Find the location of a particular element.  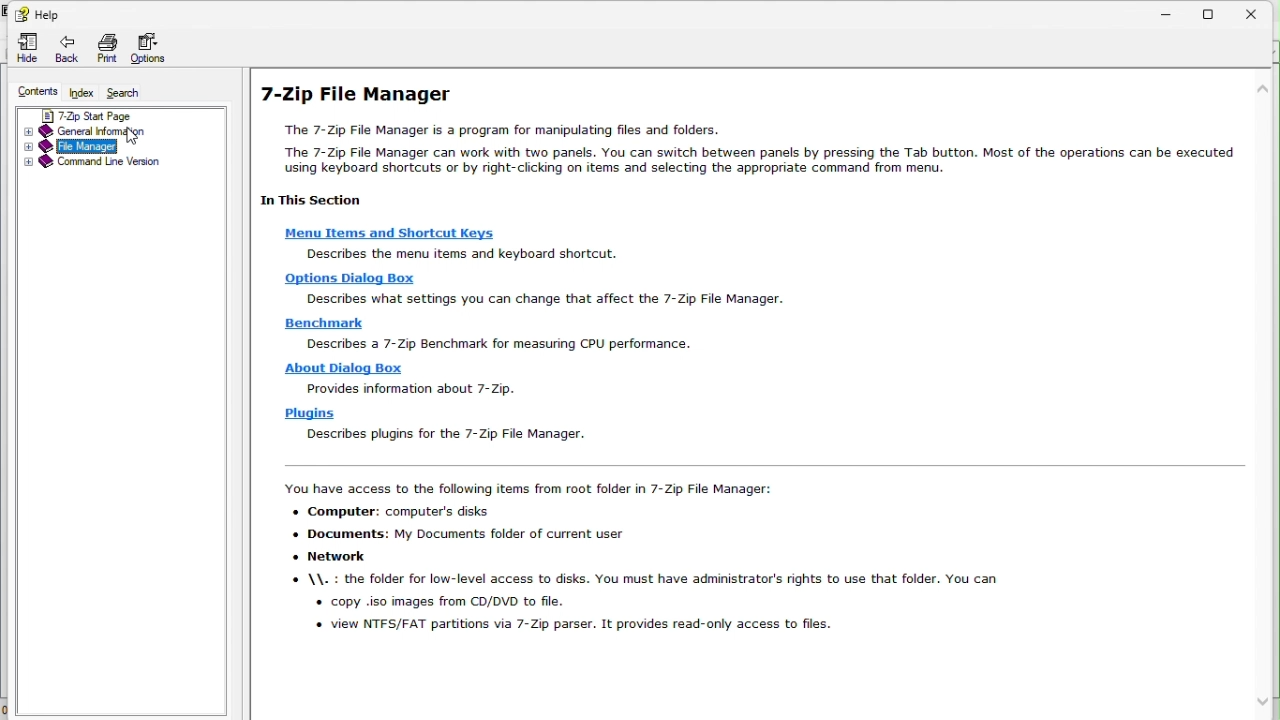

describe options dialog box is located at coordinates (549, 301).